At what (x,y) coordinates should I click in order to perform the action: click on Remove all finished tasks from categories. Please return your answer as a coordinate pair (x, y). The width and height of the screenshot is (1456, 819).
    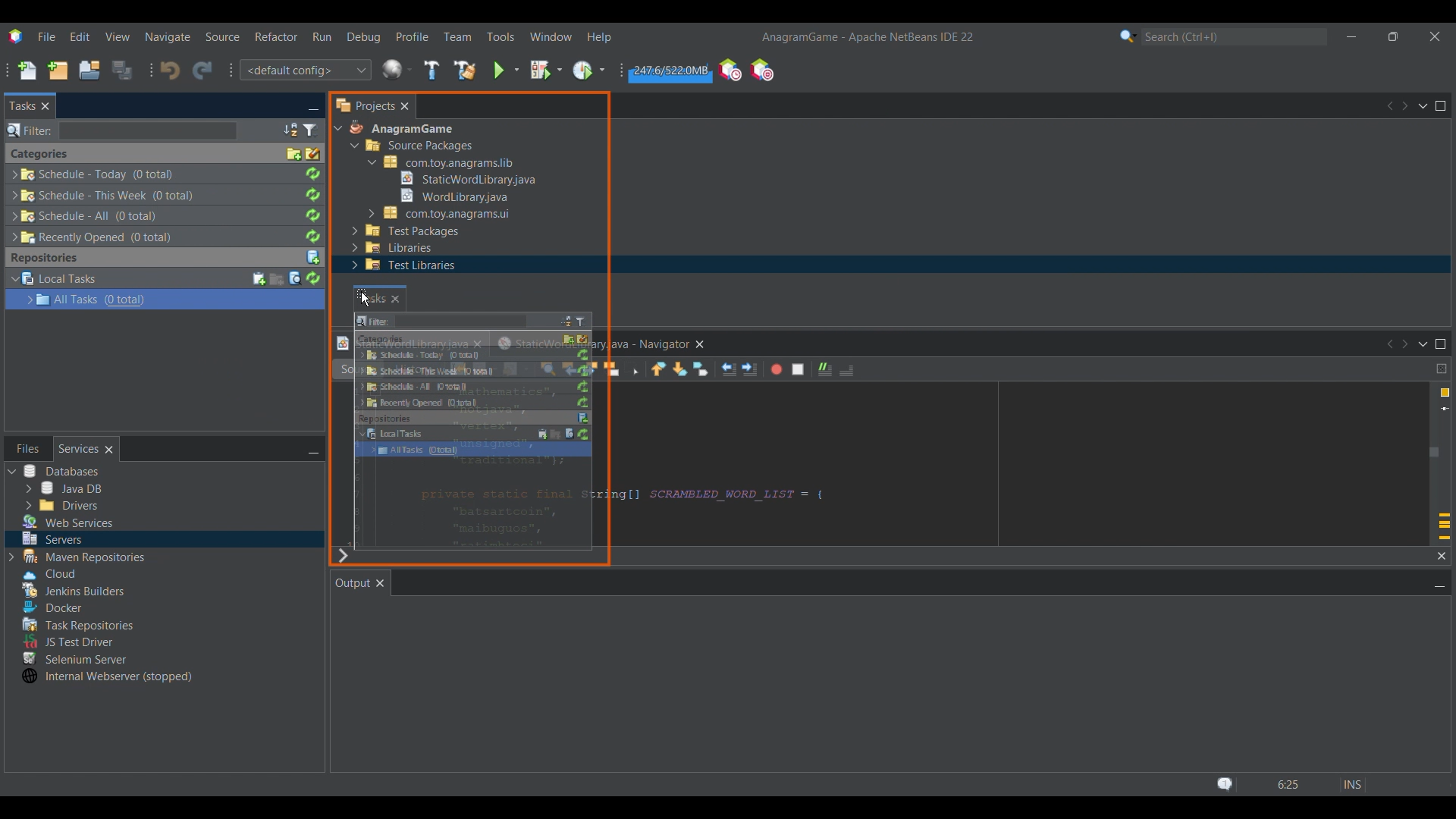
    Looking at the image, I should click on (313, 154).